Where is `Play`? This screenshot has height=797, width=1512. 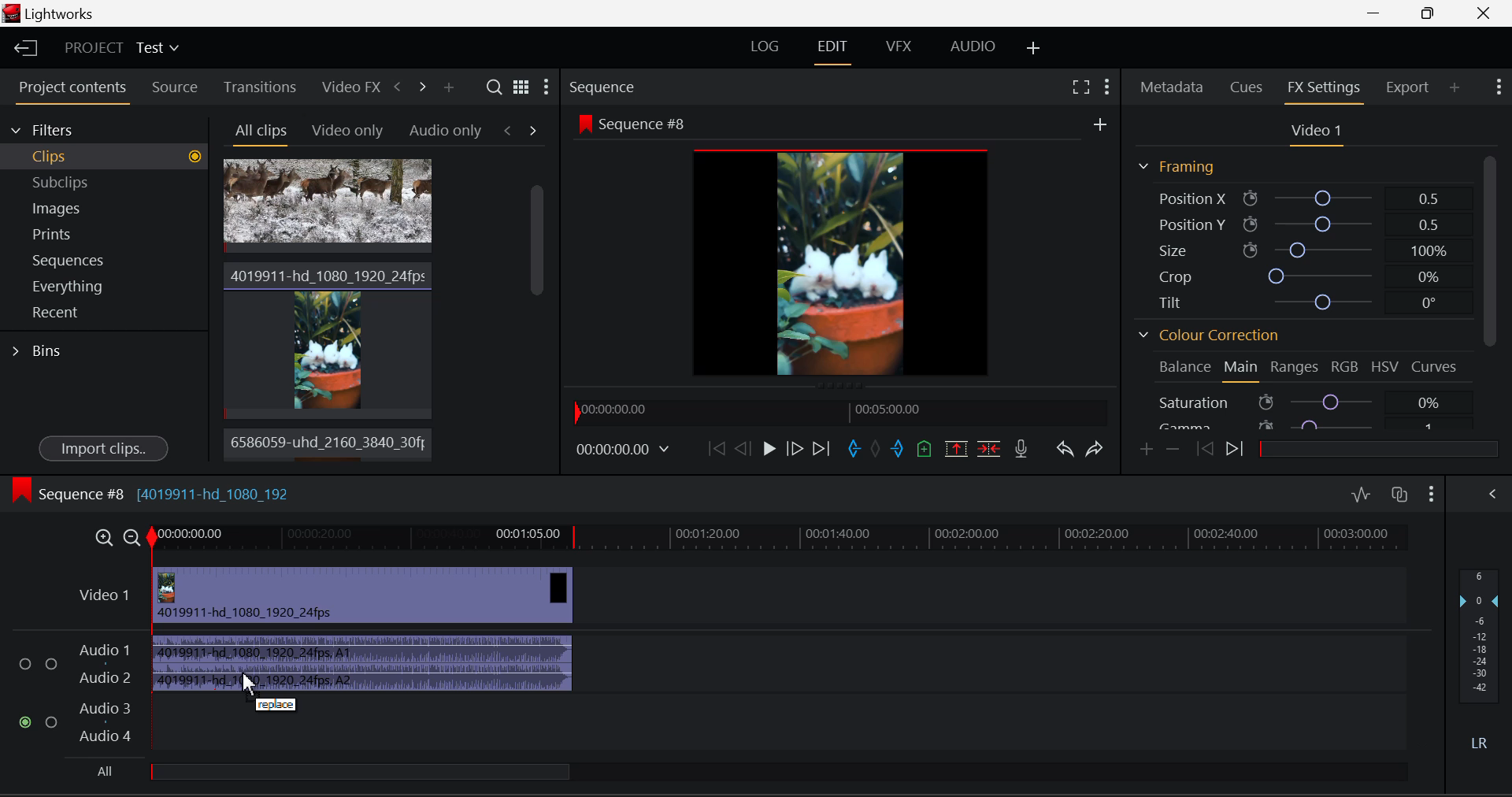
Play is located at coordinates (769, 450).